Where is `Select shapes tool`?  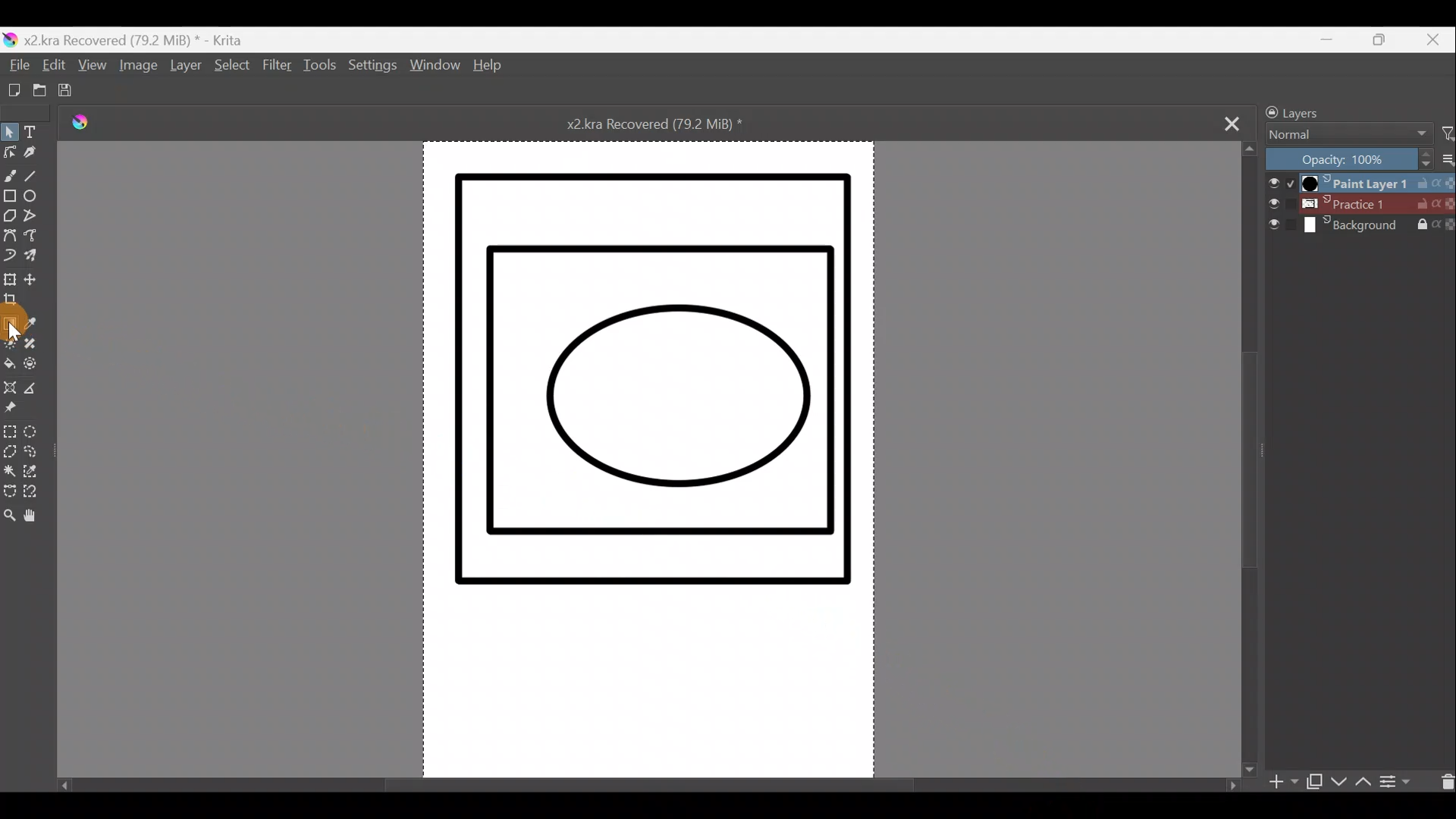
Select shapes tool is located at coordinates (9, 133).